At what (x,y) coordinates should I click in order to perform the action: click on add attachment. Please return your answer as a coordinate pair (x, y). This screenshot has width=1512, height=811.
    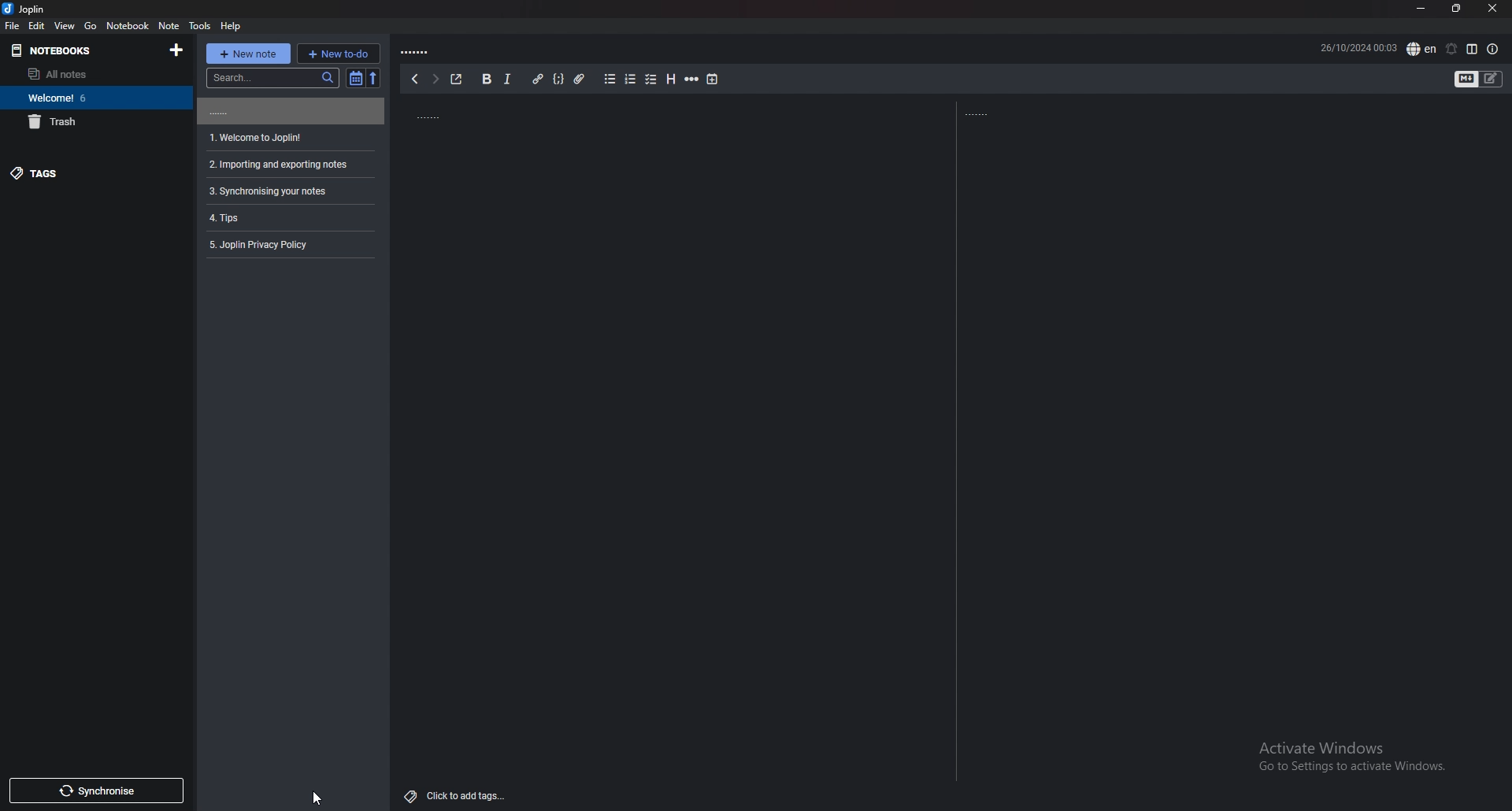
    Looking at the image, I should click on (579, 79).